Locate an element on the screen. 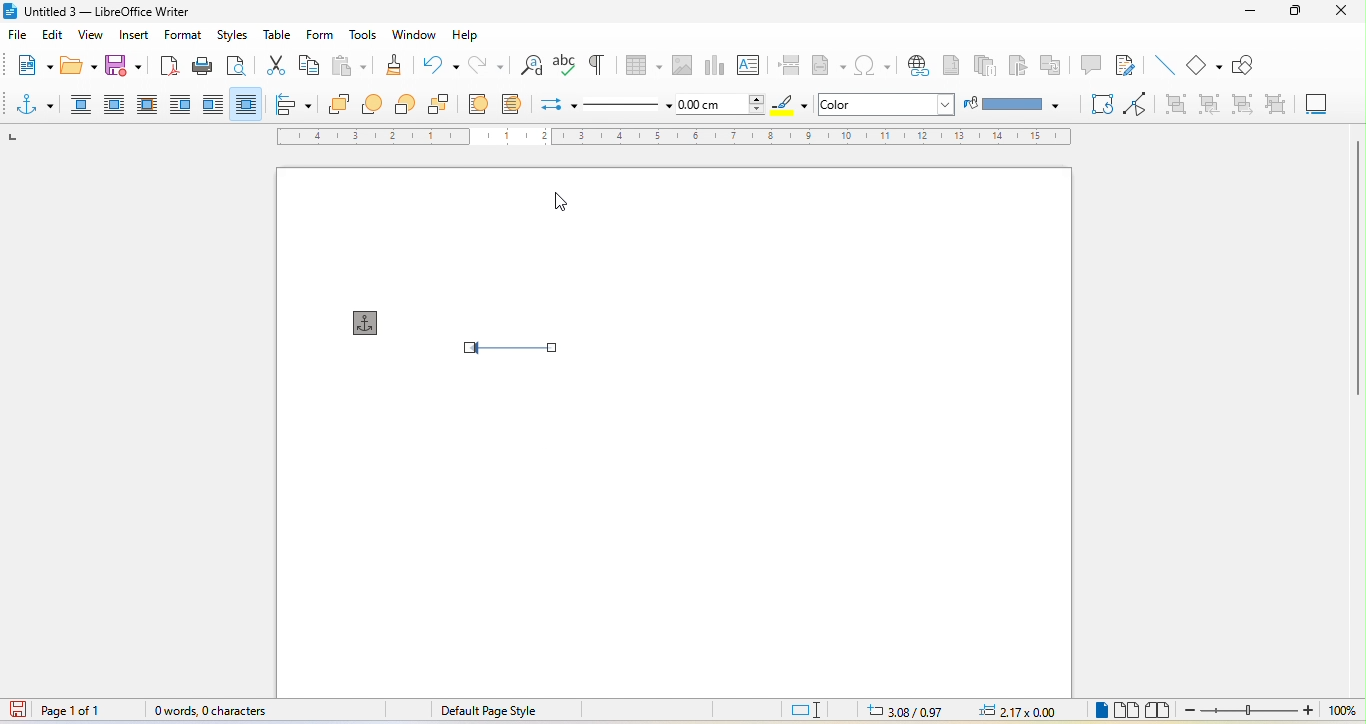  line style is located at coordinates (625, 104).